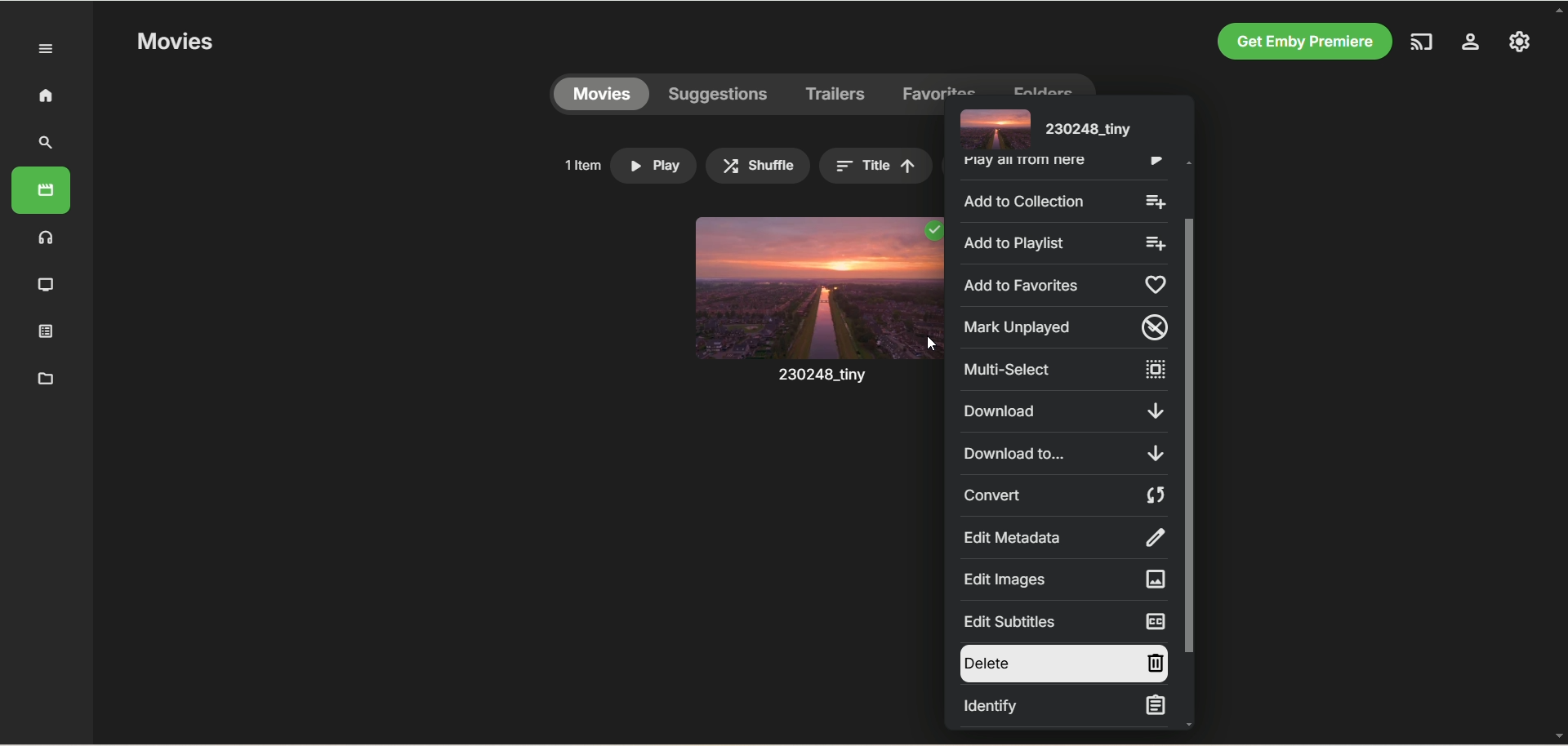 This screenshot has width=1568, height=746. What do you see at coordinates (47, 50) in the screenshot?
I see `Expand` at bounding box center [47, 50].